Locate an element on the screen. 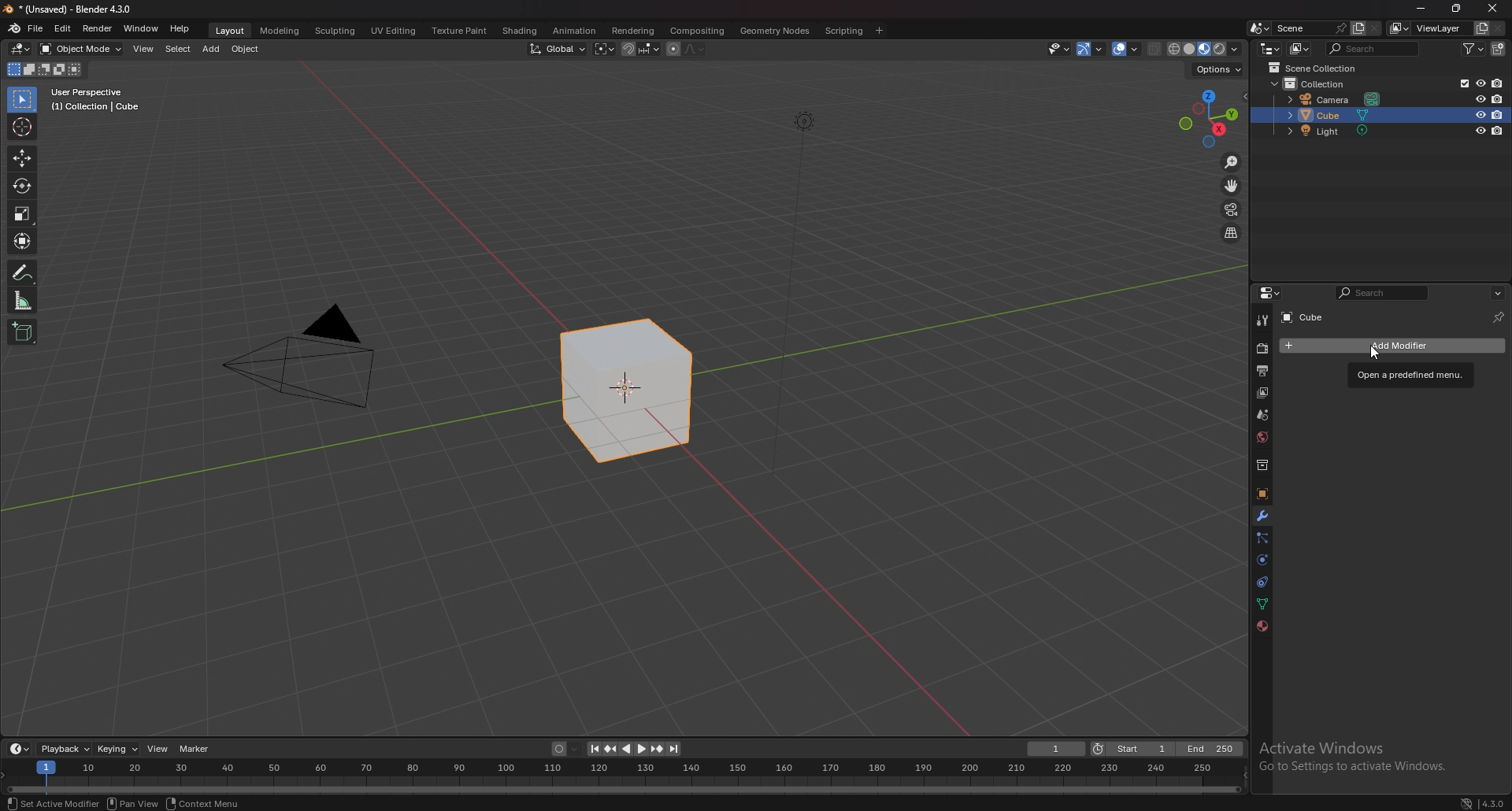 This screenshot has width=1512, height=811. jump to endpoint is located at coordinates (592, 749).